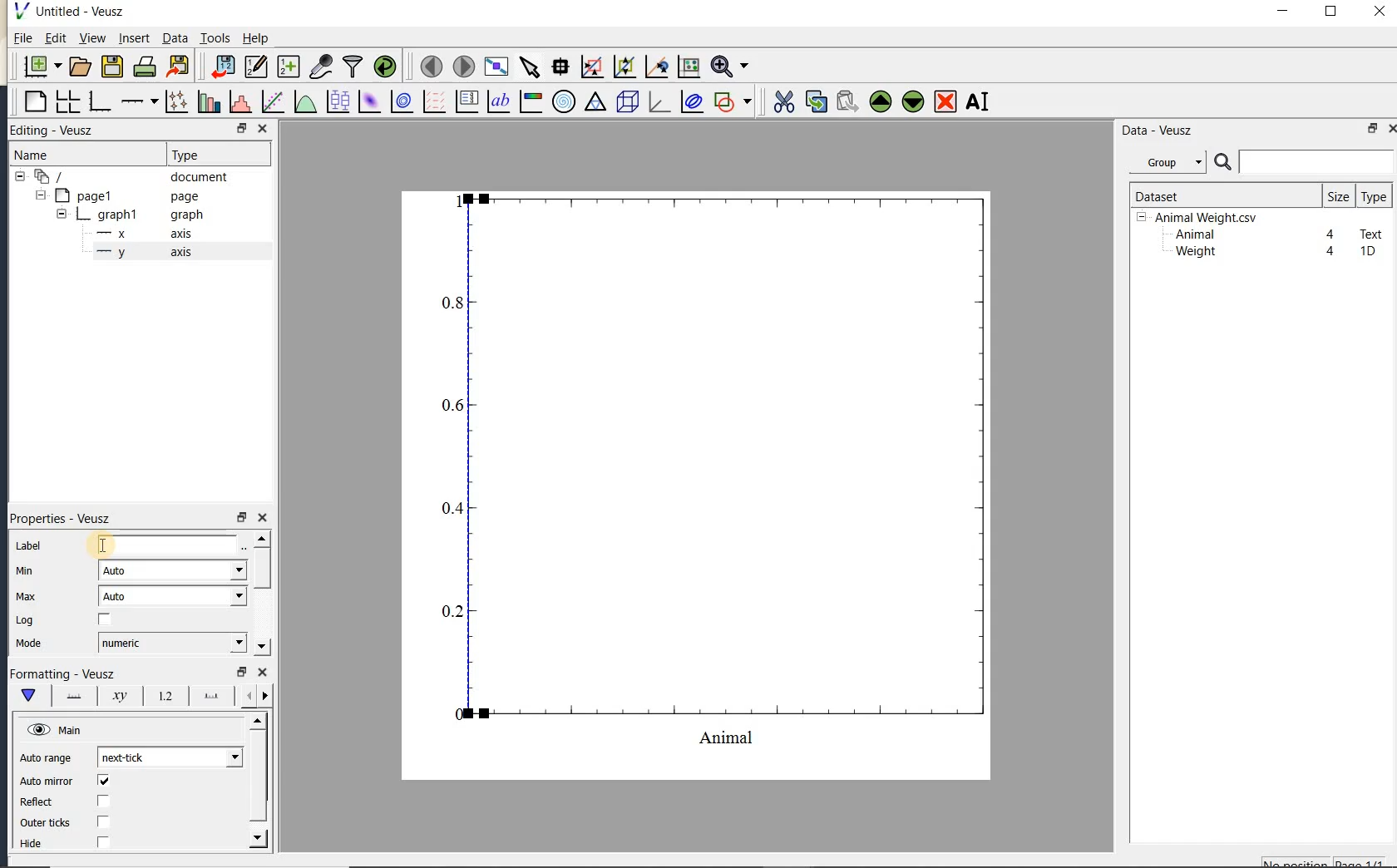 The width and height of the screenshot is (1397, 868). Describe the element at coordinates (260, 593) in the screenshot. I see `scrollbar` at that location.